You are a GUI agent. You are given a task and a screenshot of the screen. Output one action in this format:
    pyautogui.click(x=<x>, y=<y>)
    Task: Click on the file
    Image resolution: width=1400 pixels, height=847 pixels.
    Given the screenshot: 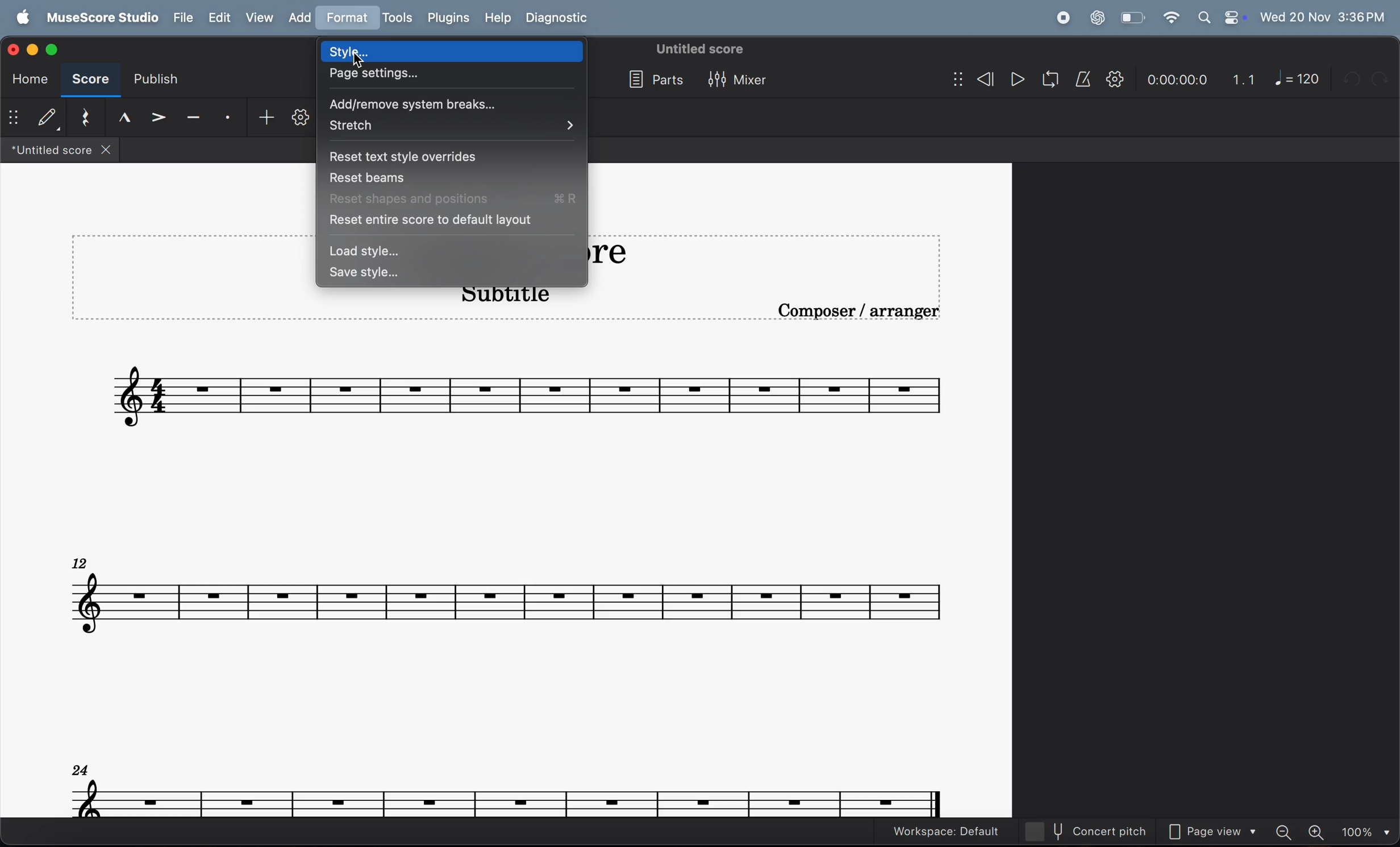 What is the action you would take?
    pyautogui.click(x=181, y=18)
    